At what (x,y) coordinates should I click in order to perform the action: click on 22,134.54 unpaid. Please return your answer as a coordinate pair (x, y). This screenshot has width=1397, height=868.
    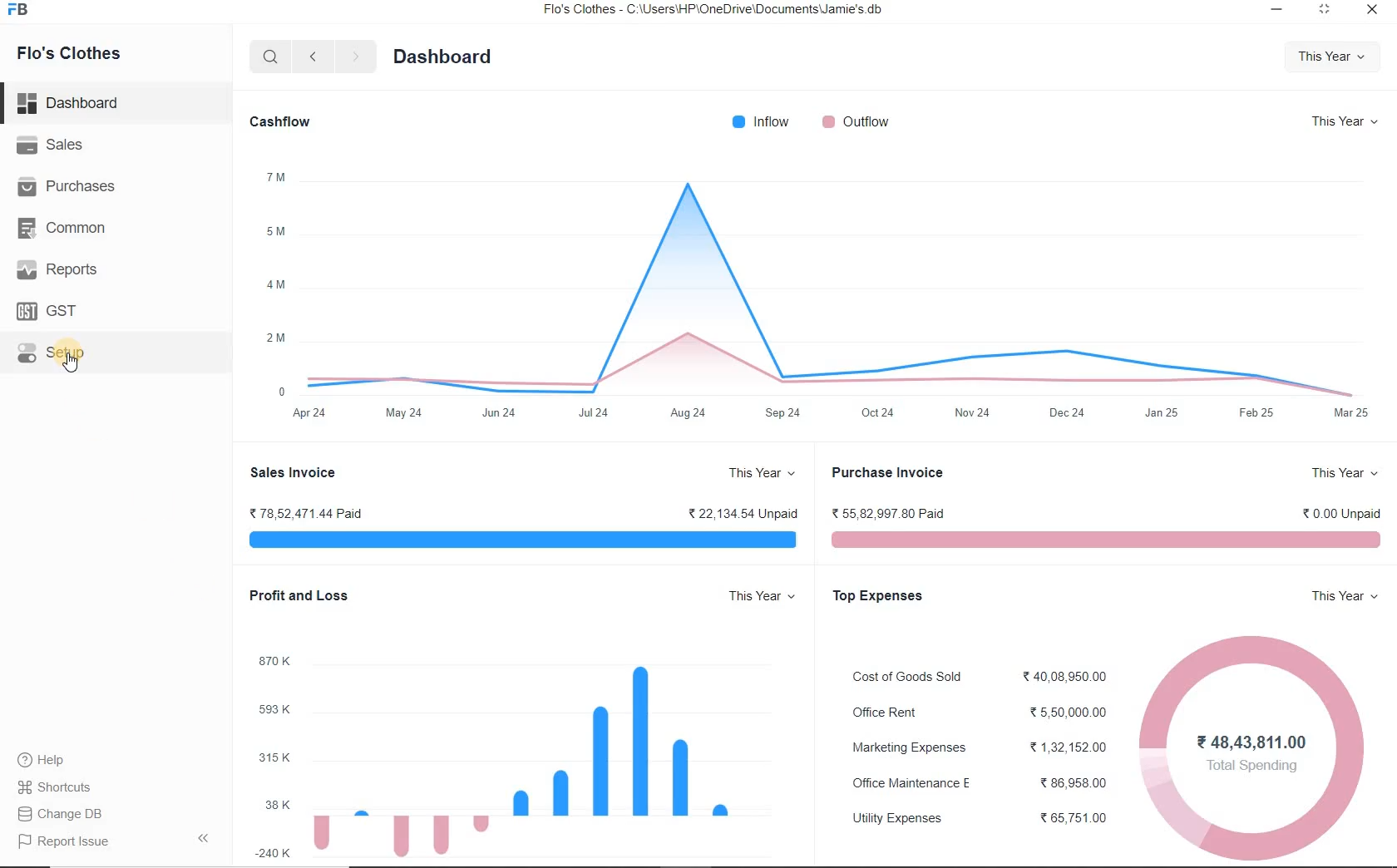
    Looking at the image, I should click on (746, 512).